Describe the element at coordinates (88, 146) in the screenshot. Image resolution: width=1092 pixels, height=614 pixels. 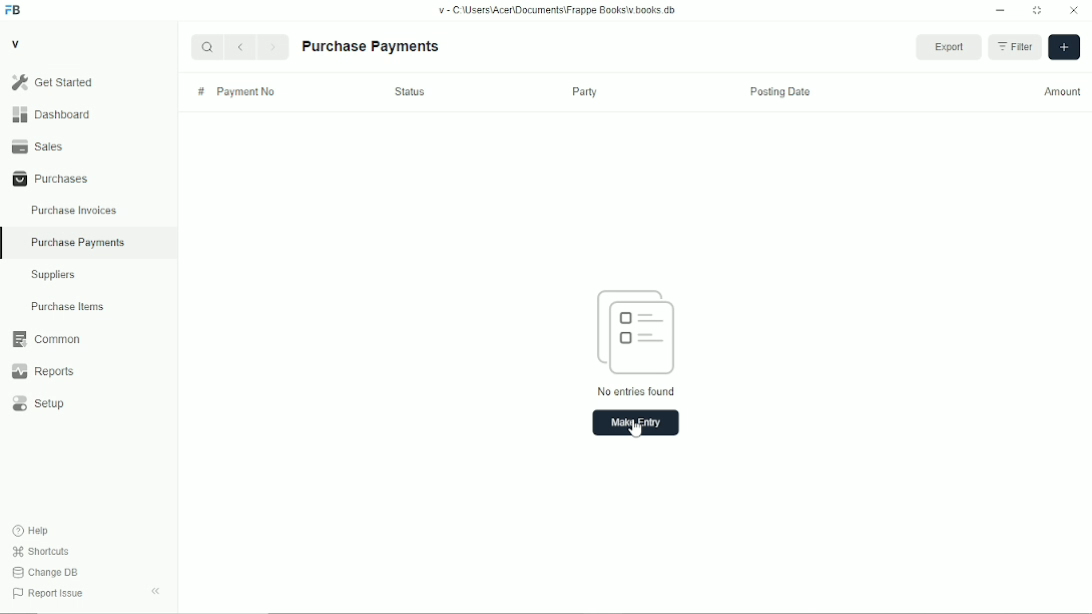
I see `Sales` at that location.